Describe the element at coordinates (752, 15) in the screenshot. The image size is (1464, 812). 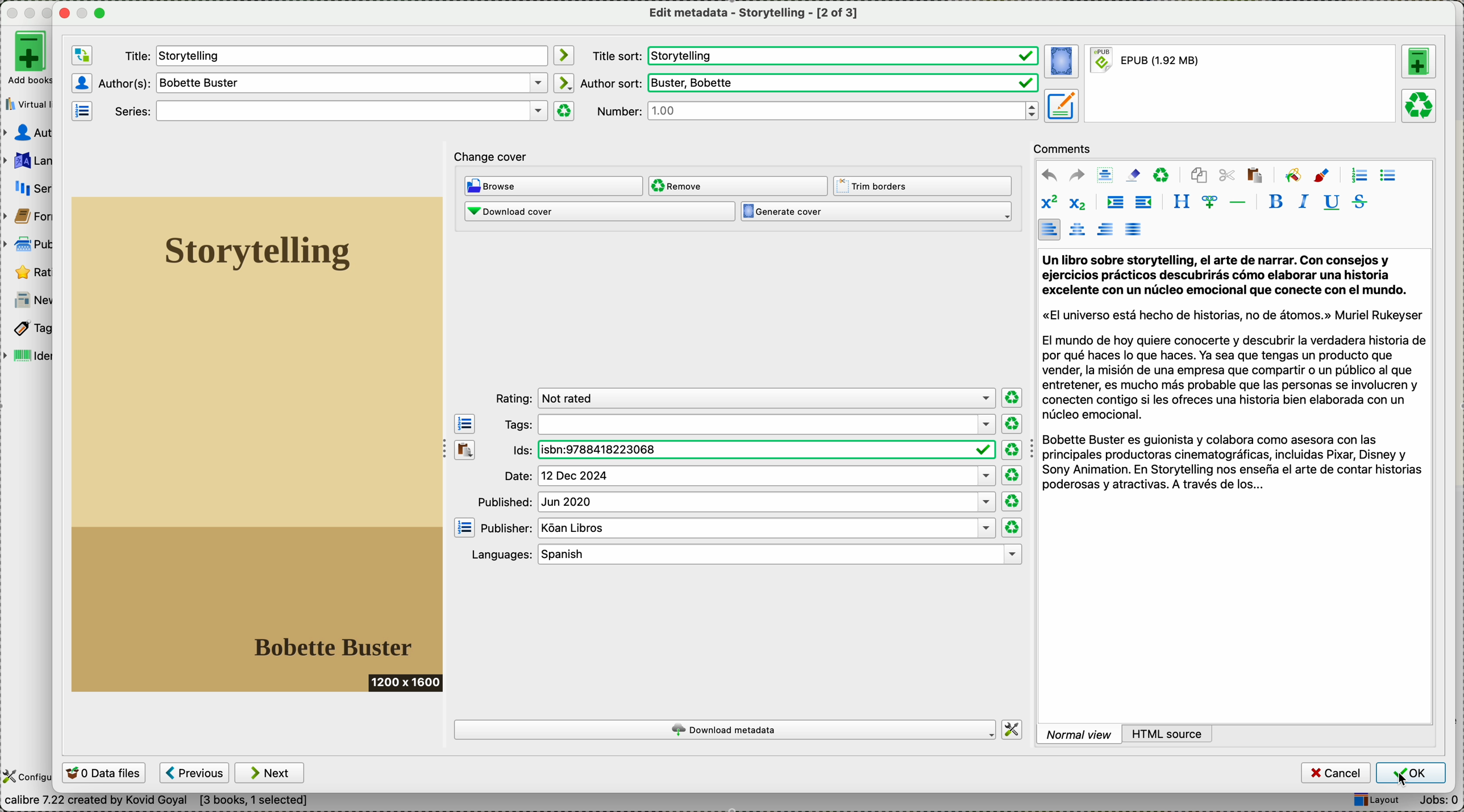
I see `edit metadata` at that location.